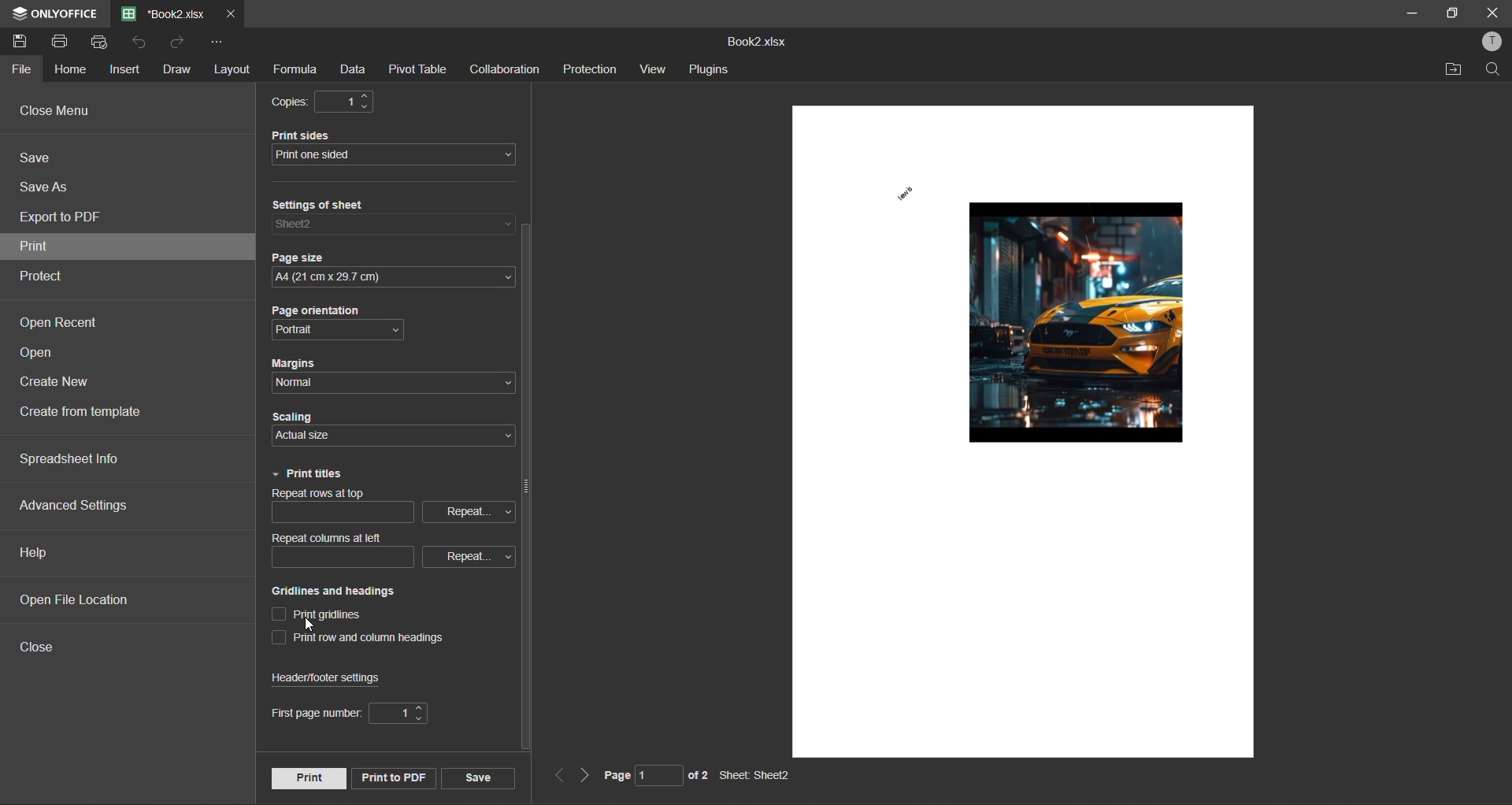  I want to click on filename, so click(755, 42).